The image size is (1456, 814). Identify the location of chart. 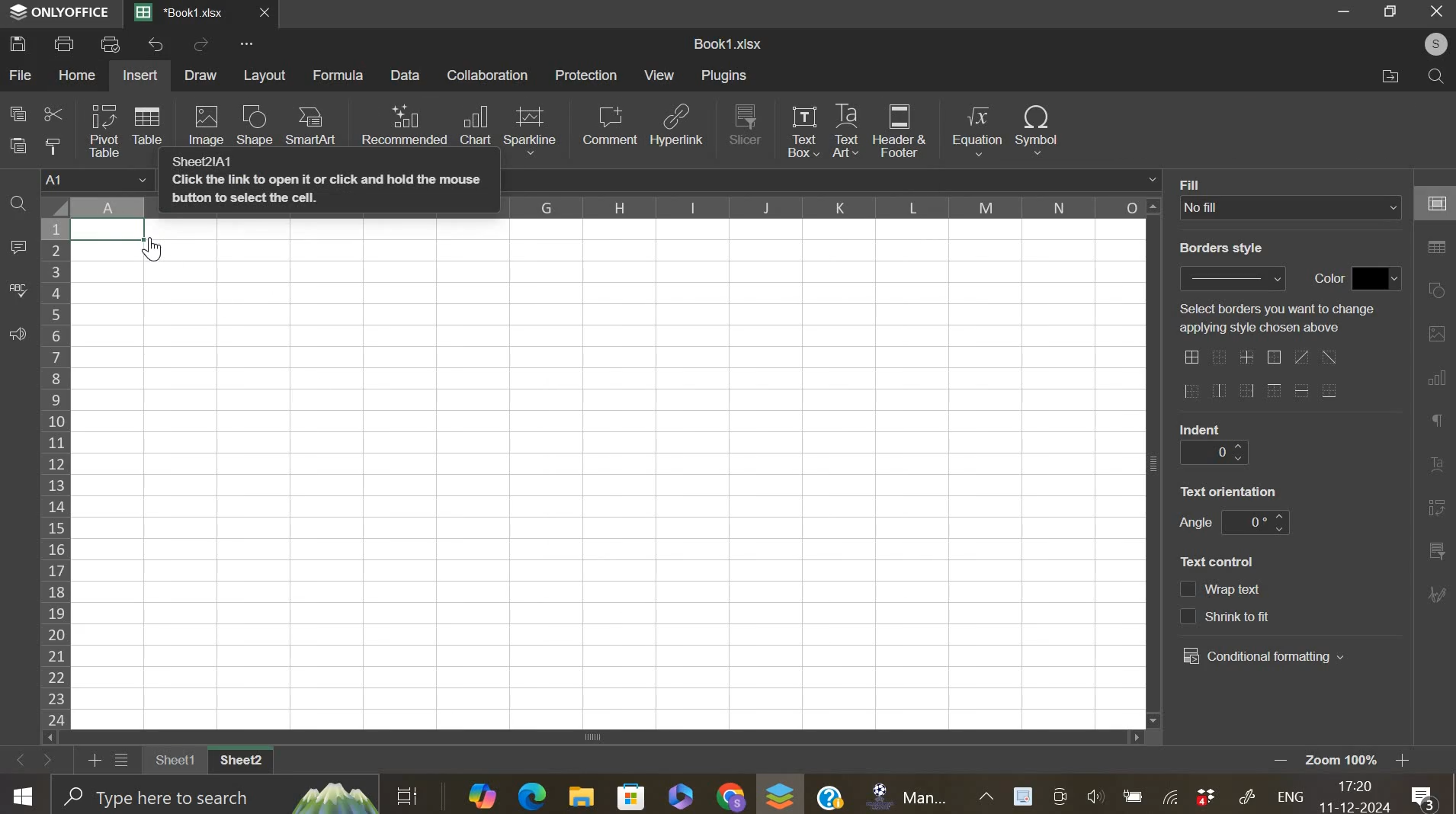
(475, 126).